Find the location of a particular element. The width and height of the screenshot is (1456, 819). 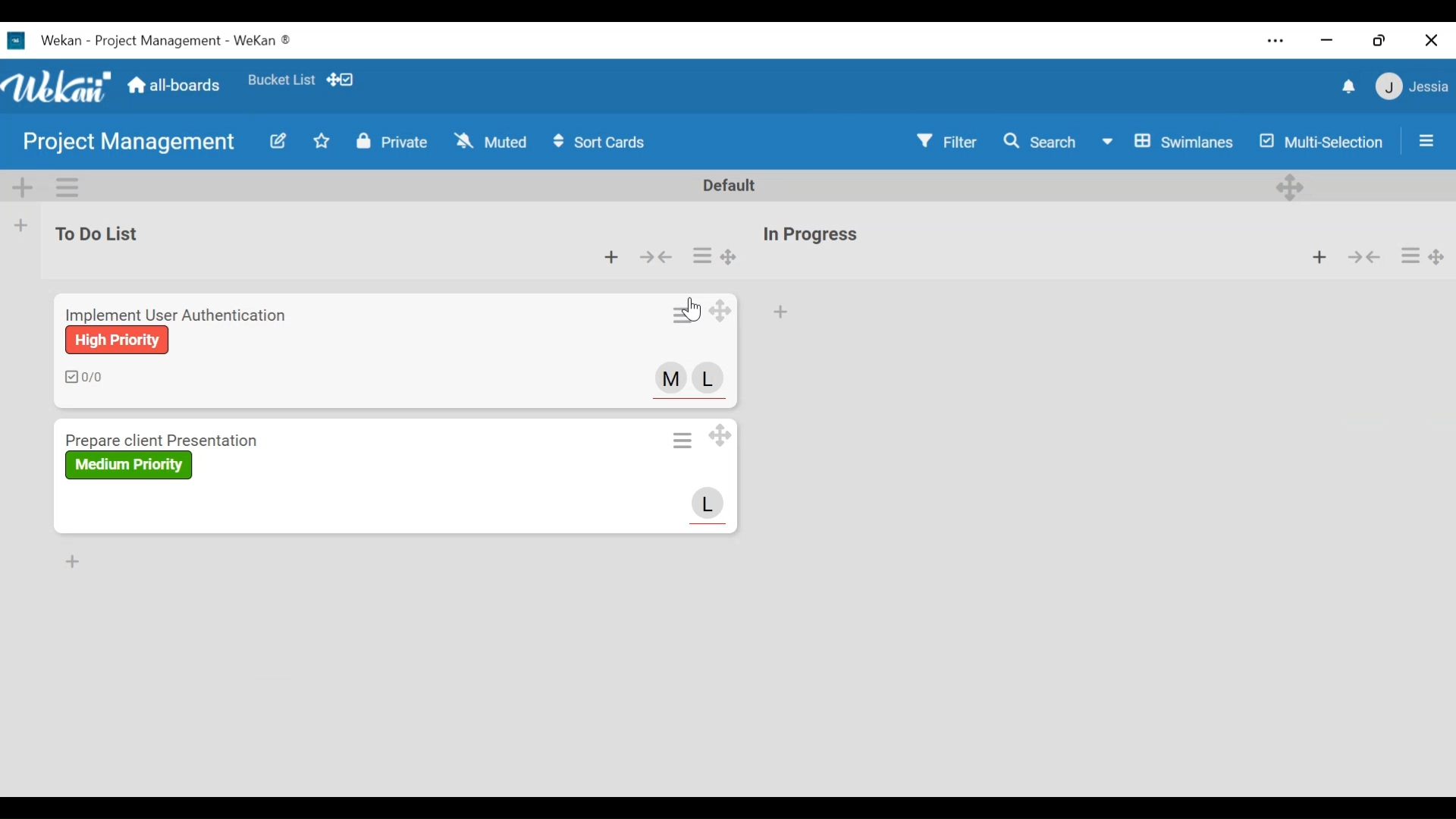

Sort Cards is located at coordinates (600, 142).